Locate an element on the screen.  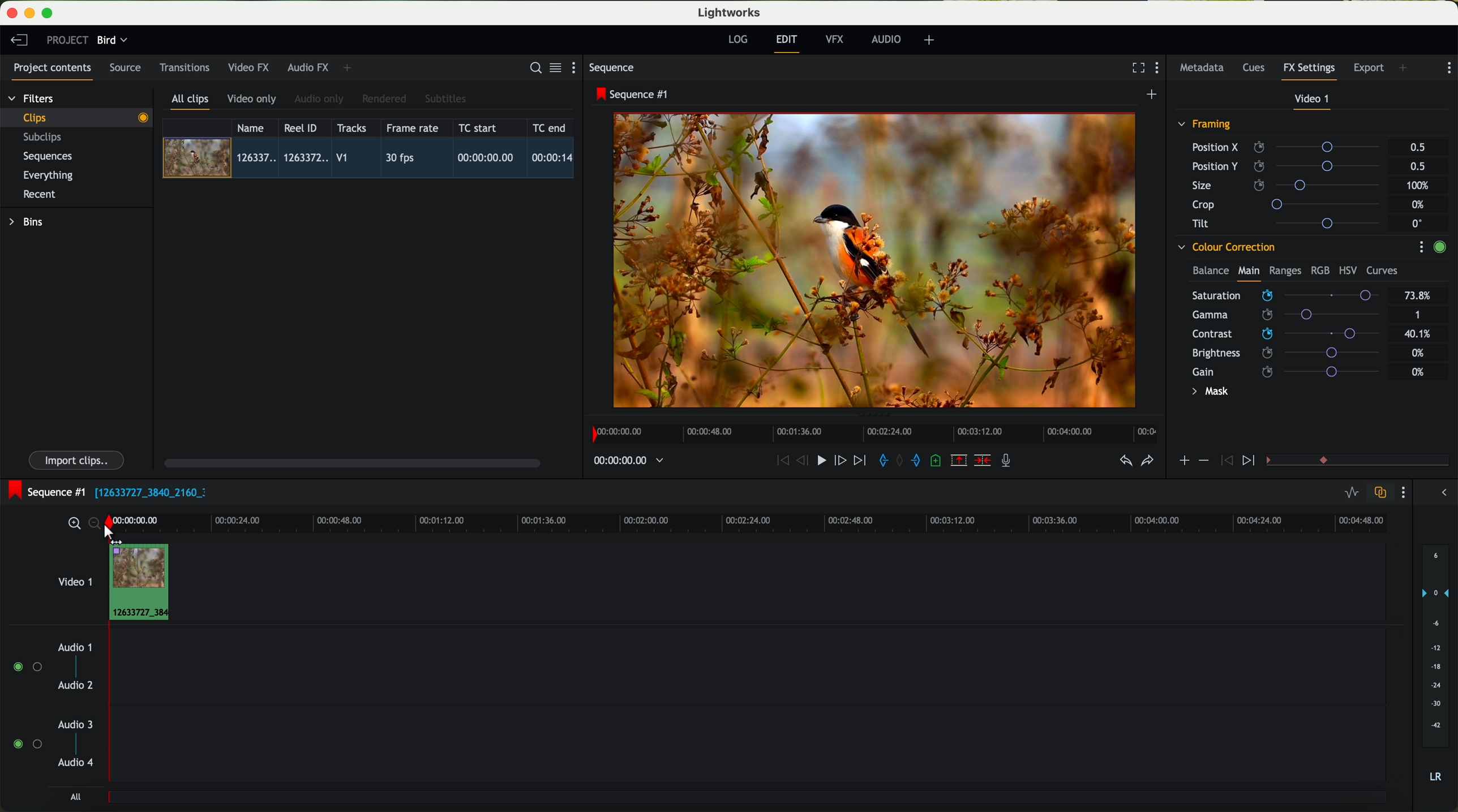
0.5 is located at coordinates (1418, 148).